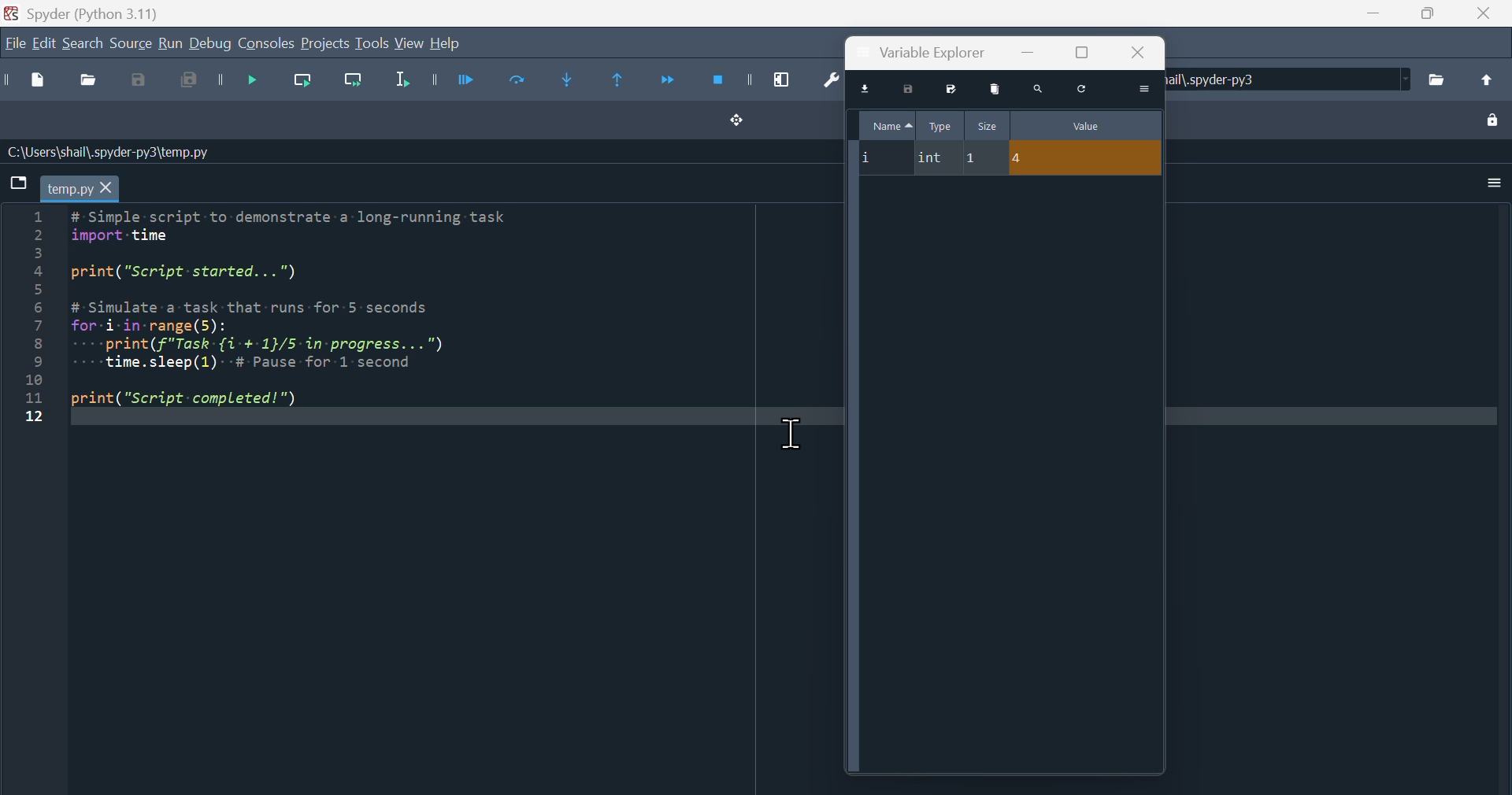 Image resolution: width=1512 pixels, height=795 pixels. I want to click on save data, so click(910, 89).